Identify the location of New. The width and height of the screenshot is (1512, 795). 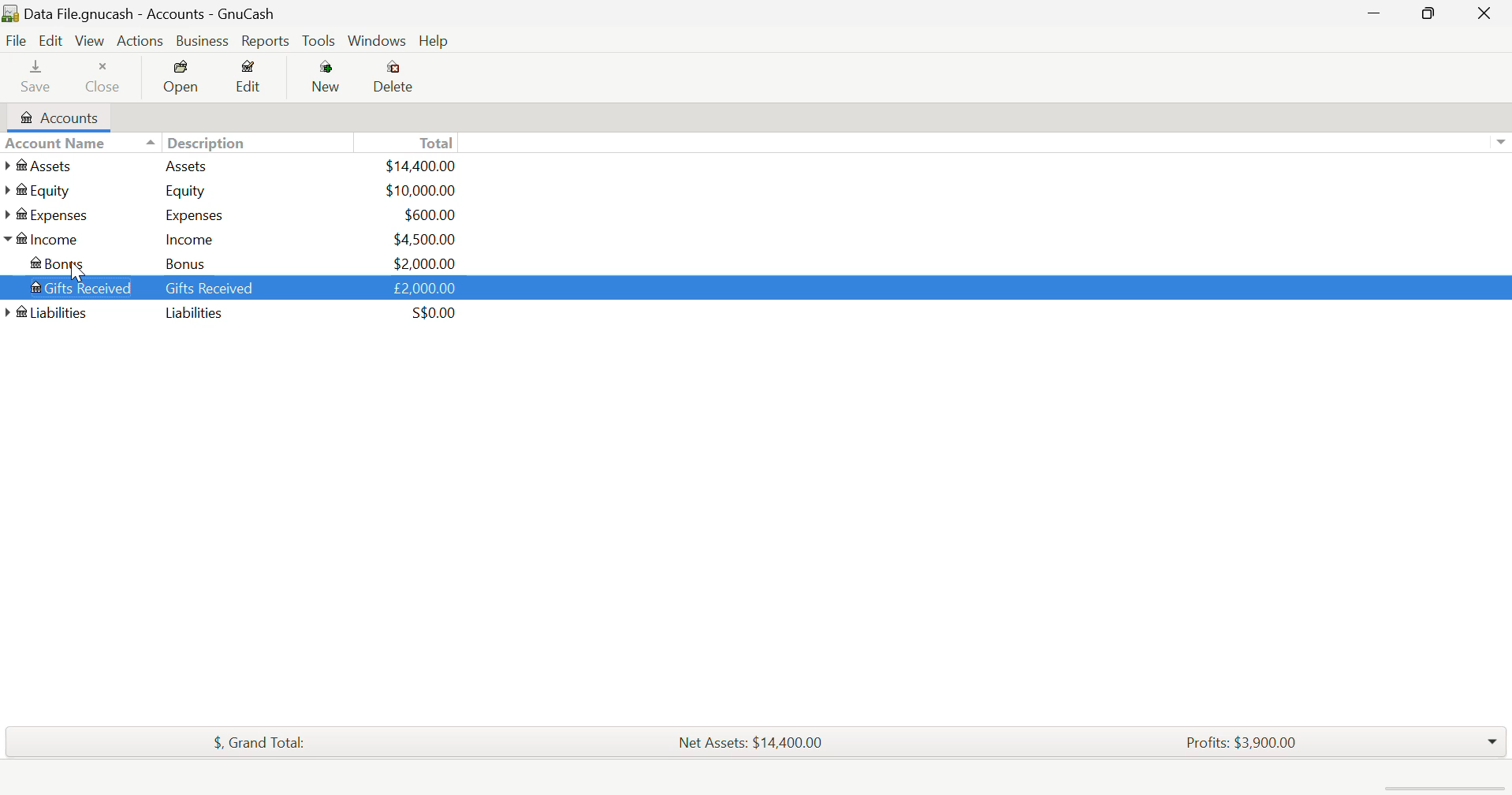
(328, 80).